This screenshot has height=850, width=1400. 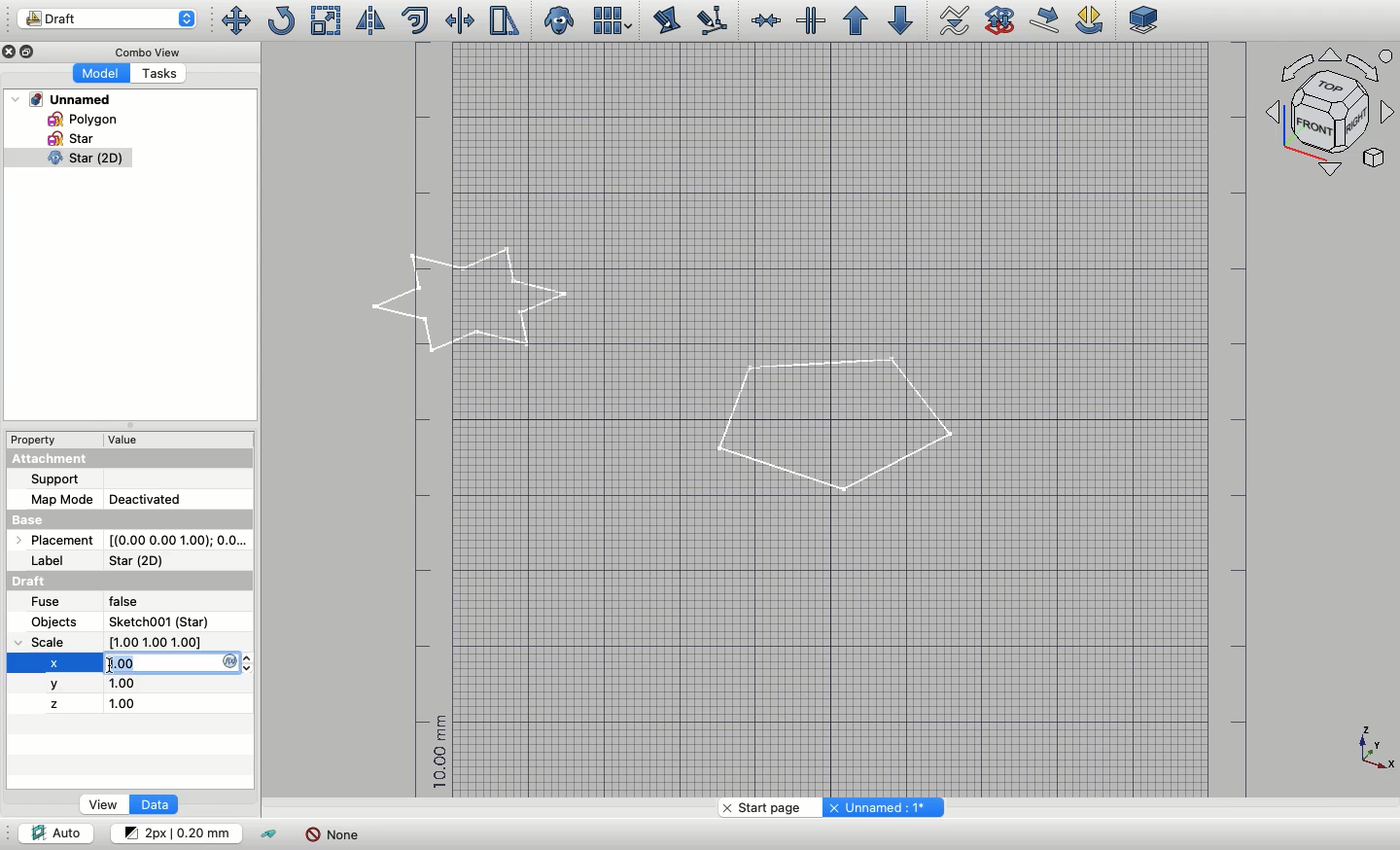 I want to click on Rotate, so click(x=280, y=20).